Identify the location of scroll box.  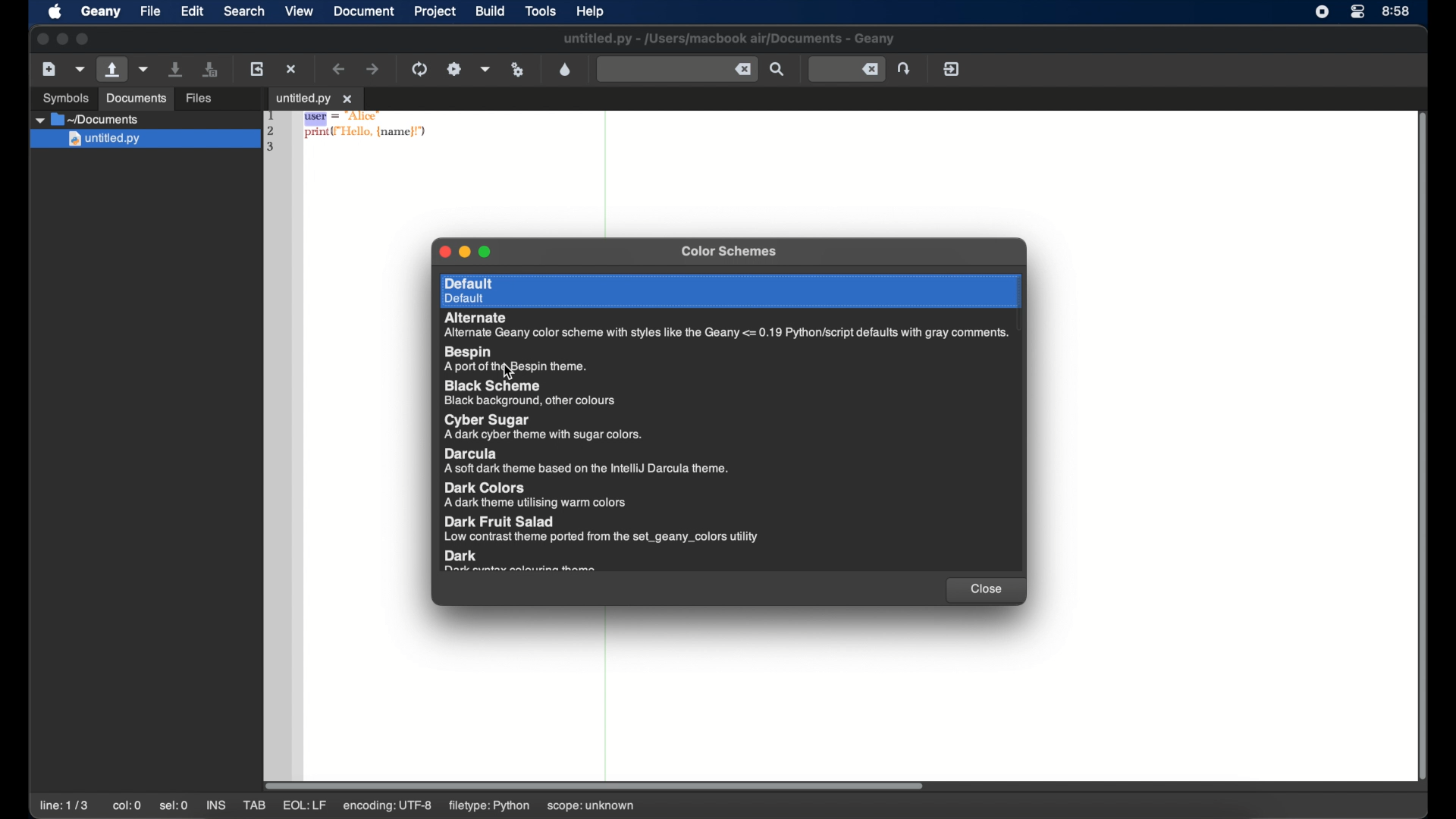
(595, 786).